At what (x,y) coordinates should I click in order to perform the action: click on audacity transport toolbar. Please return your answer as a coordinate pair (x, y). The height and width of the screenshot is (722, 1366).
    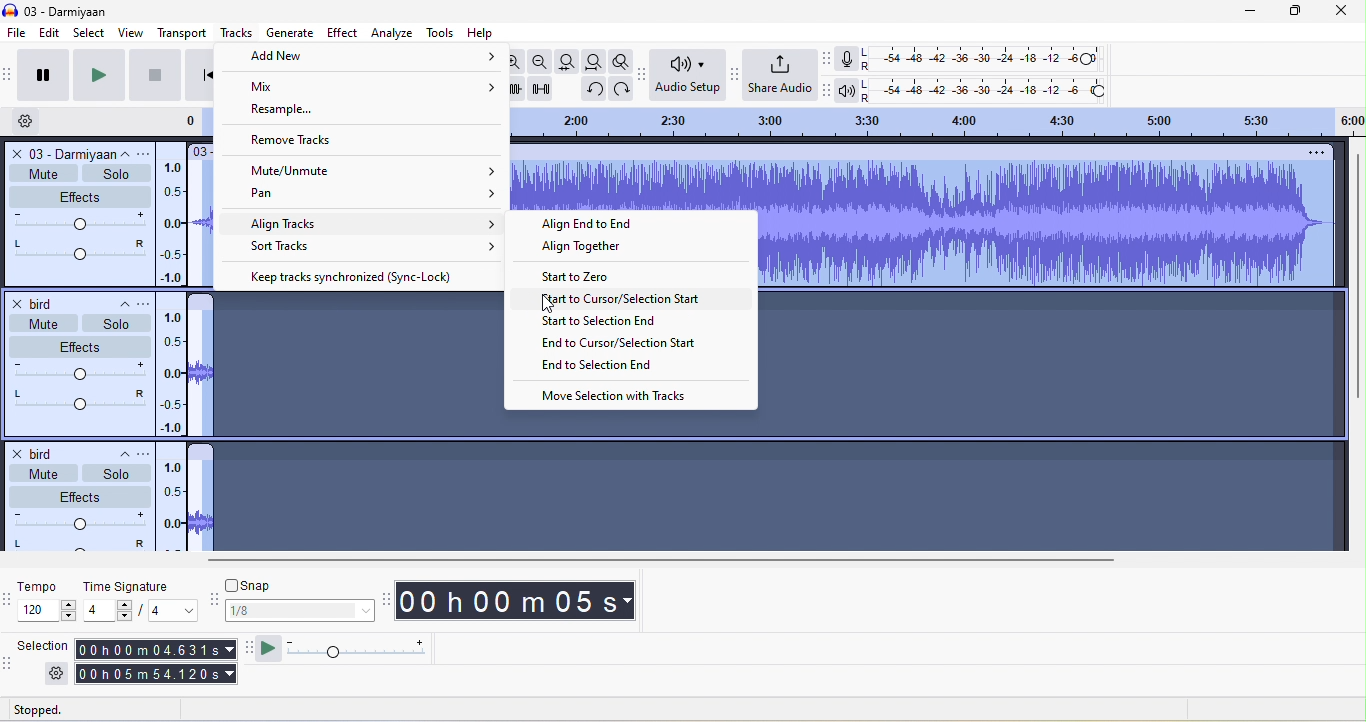
    Looking at the image, I should click on (9, 74).